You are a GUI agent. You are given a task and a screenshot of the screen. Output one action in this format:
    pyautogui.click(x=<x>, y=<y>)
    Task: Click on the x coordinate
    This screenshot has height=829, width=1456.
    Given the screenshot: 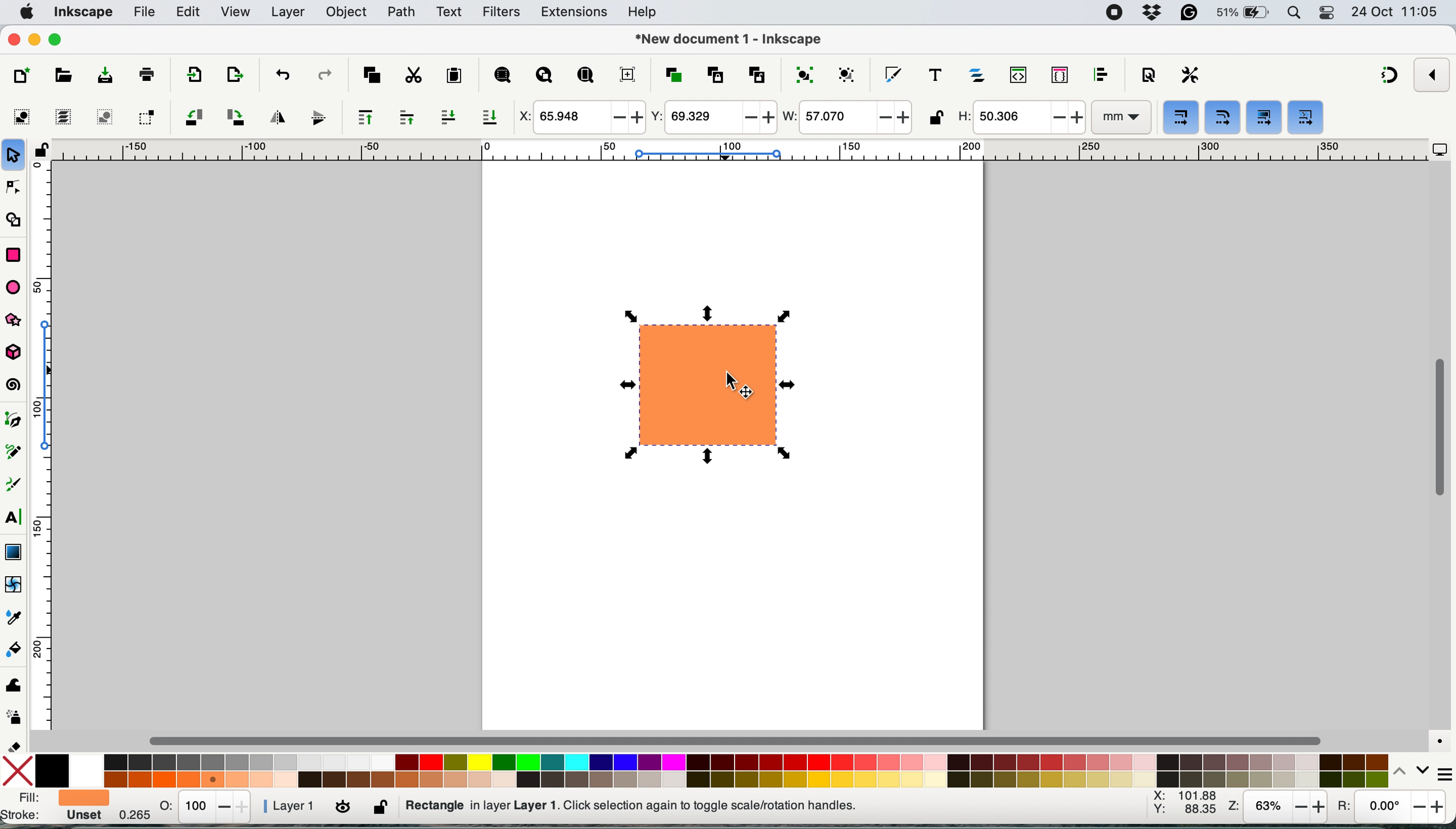 What is the action you would take?
    pyautogui.click(x=579, y=118)
    